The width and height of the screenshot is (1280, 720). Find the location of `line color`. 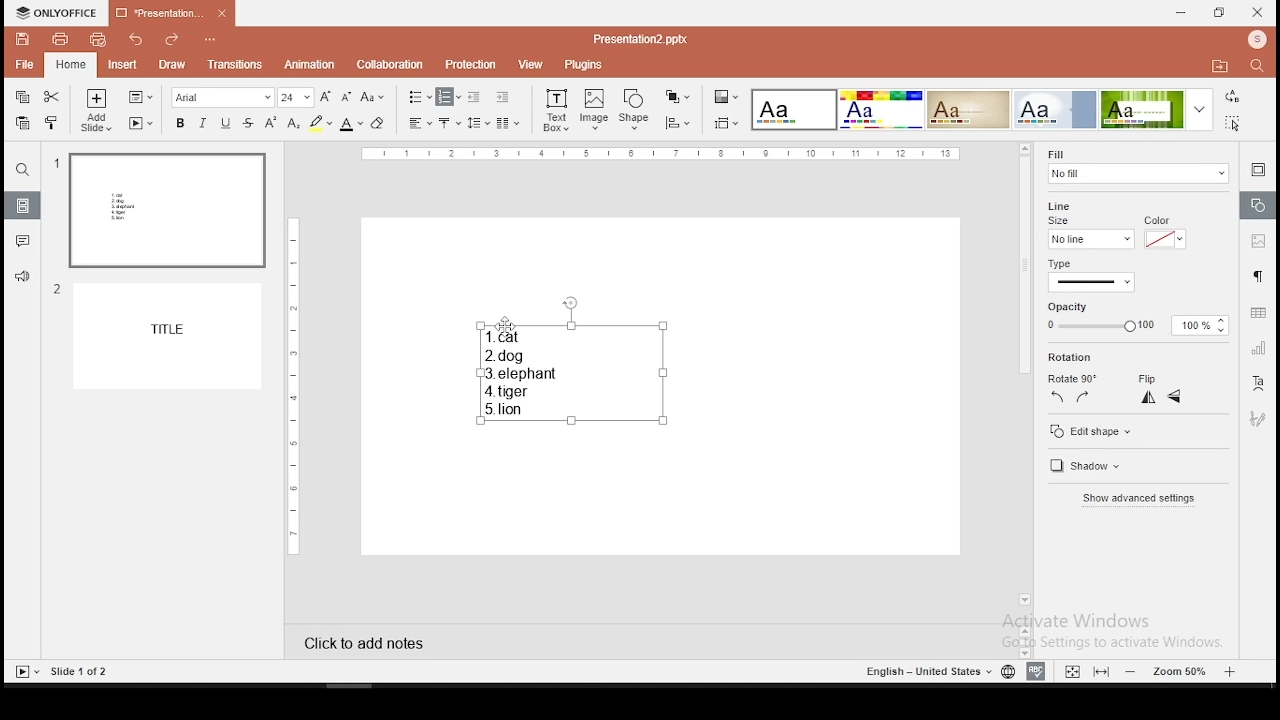

line color is located at coordinates (1164, 233).